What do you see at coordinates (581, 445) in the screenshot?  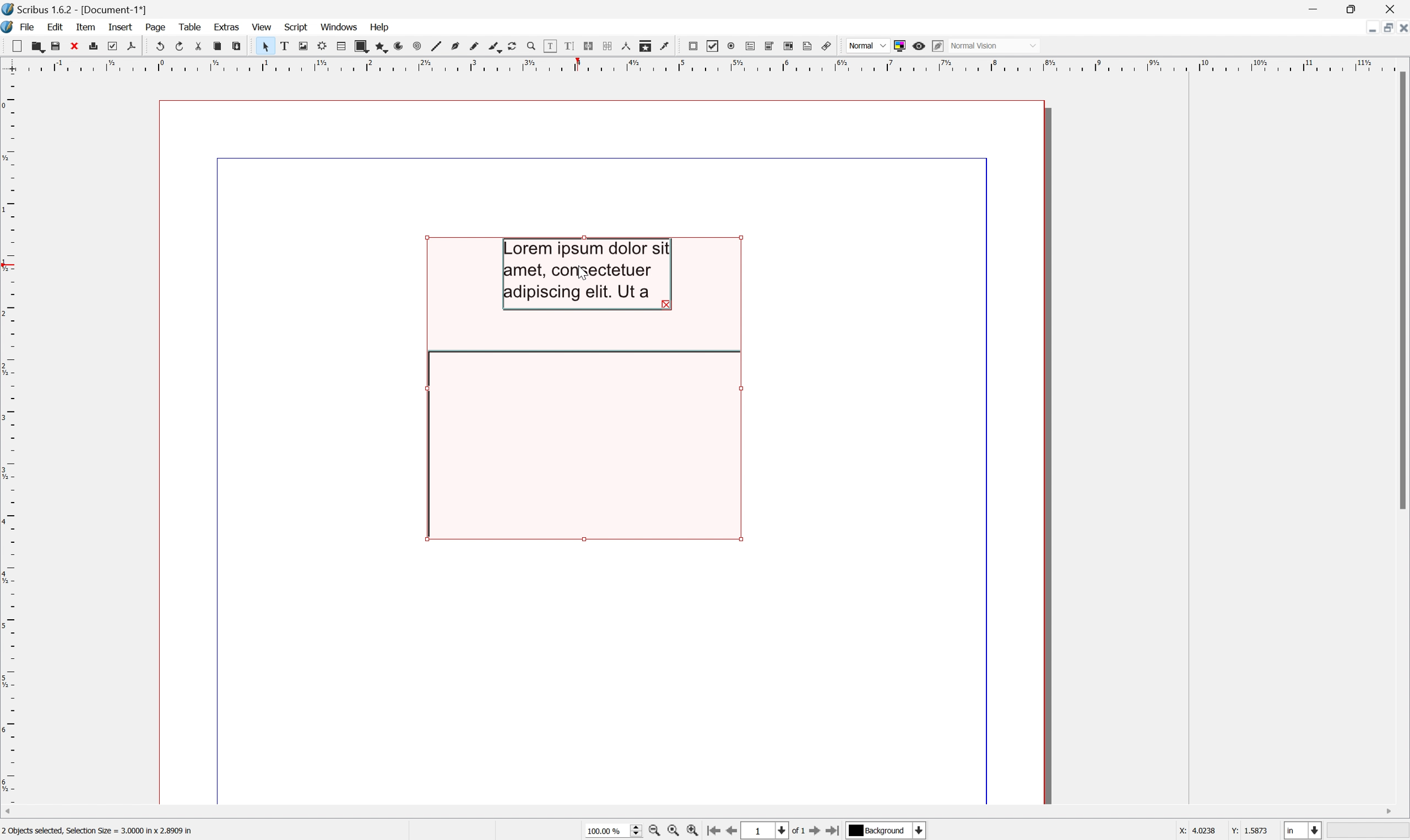 I see `Rotate item` at bounding box center [581, 445].